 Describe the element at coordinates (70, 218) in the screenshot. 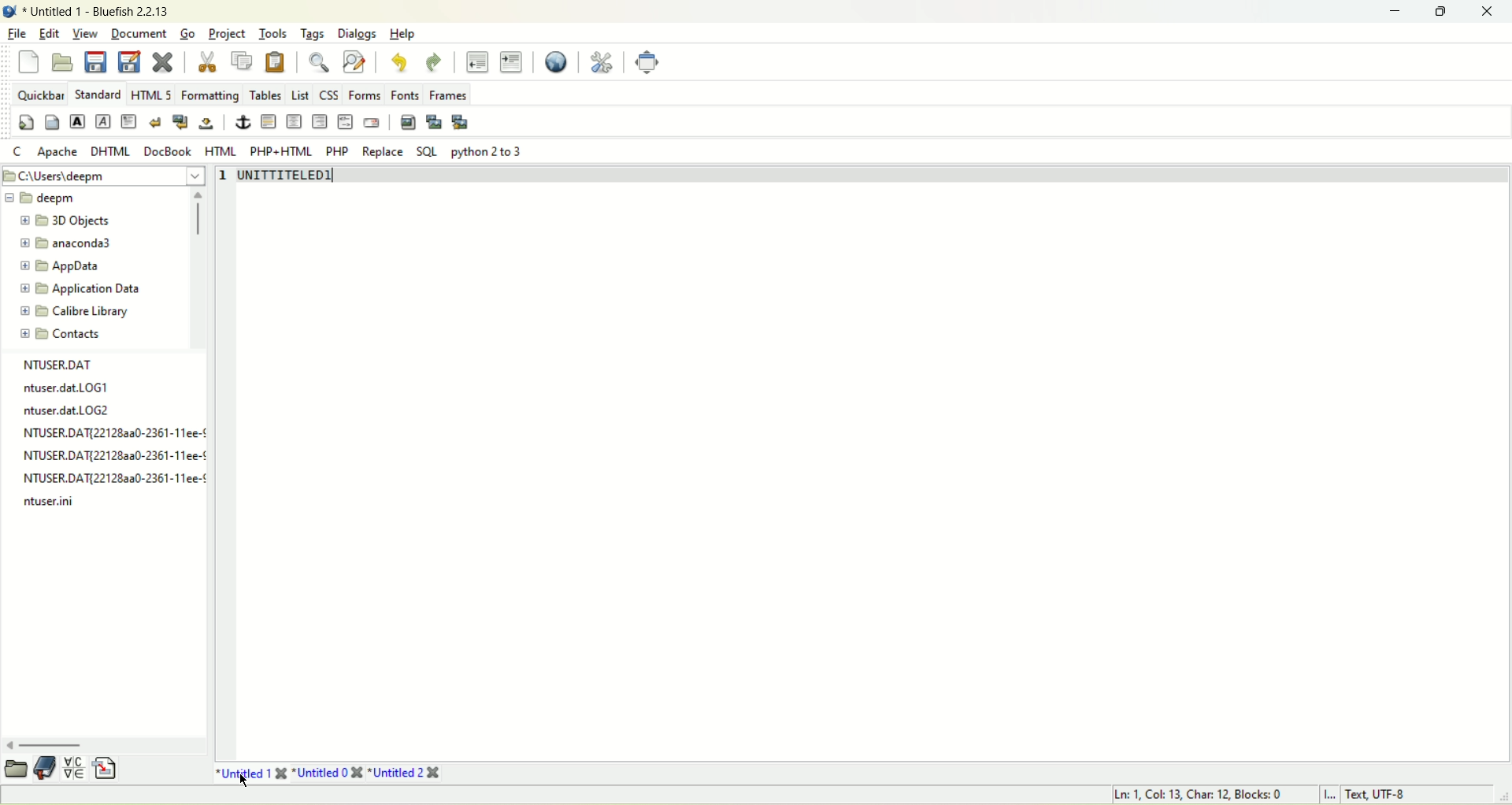

I see `3D objects` at that location.